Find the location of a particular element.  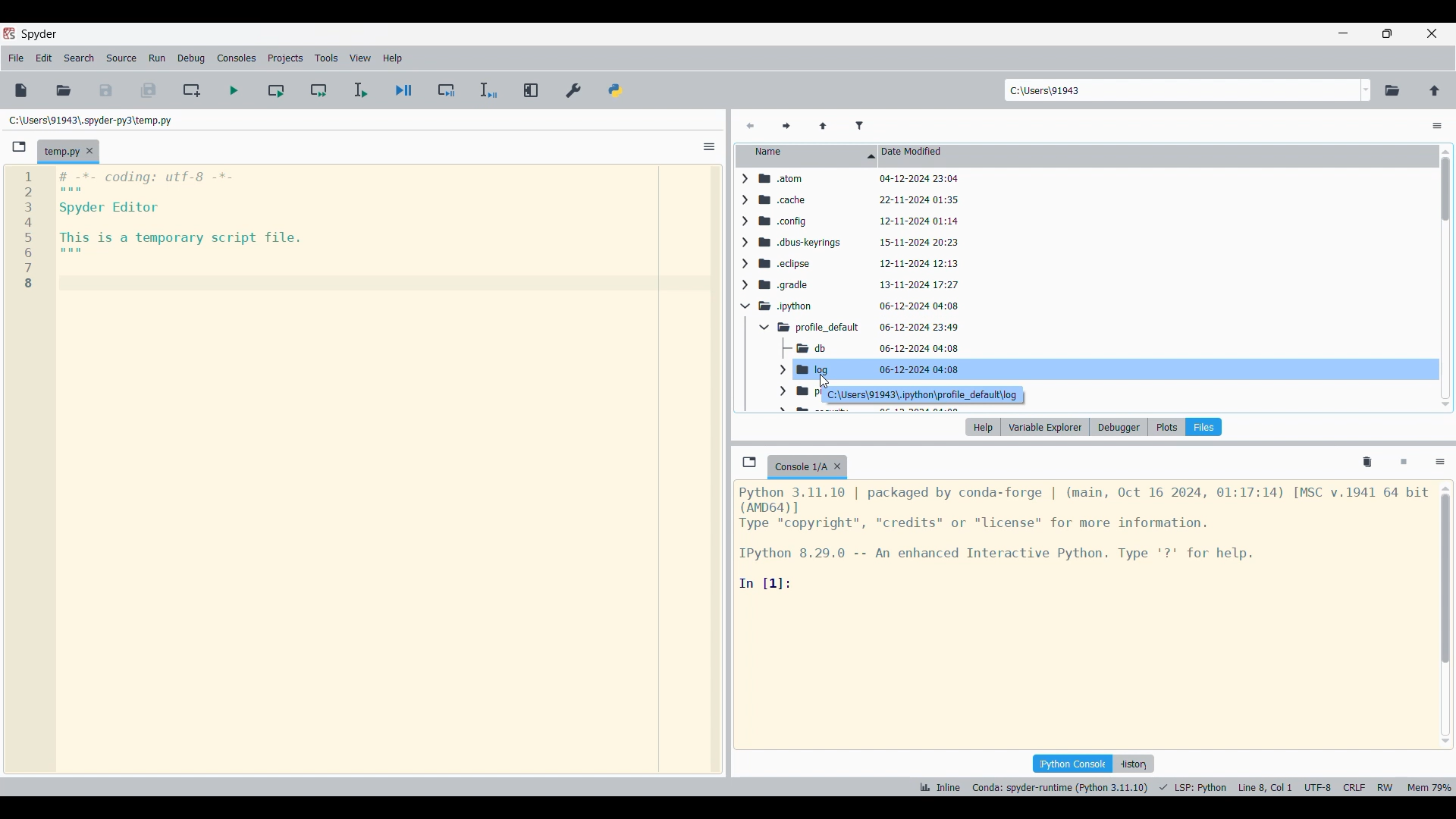

Options is located at coordinates (1437, 126).